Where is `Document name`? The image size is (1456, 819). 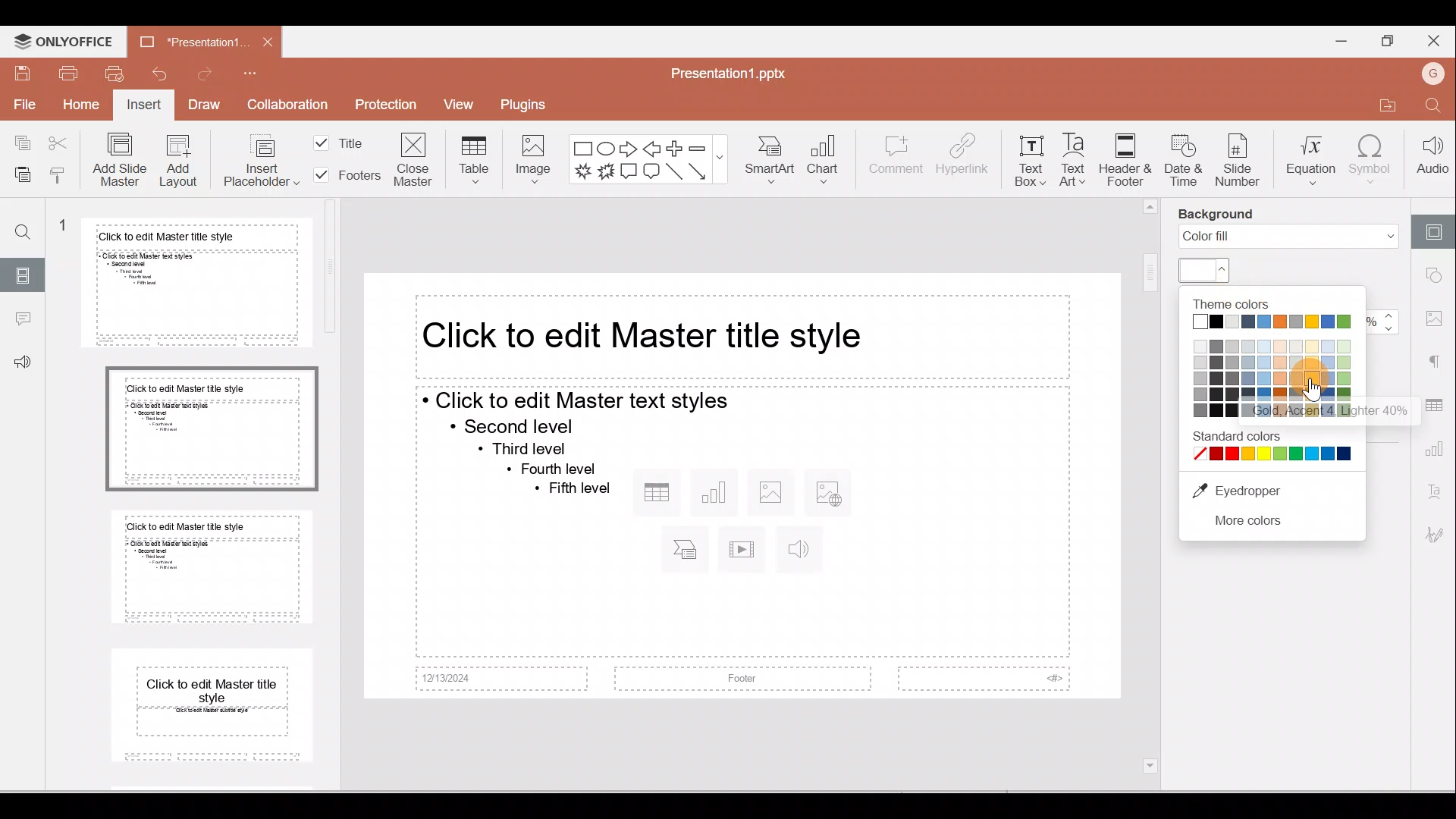 Document name is located at coordinates (187, 39).